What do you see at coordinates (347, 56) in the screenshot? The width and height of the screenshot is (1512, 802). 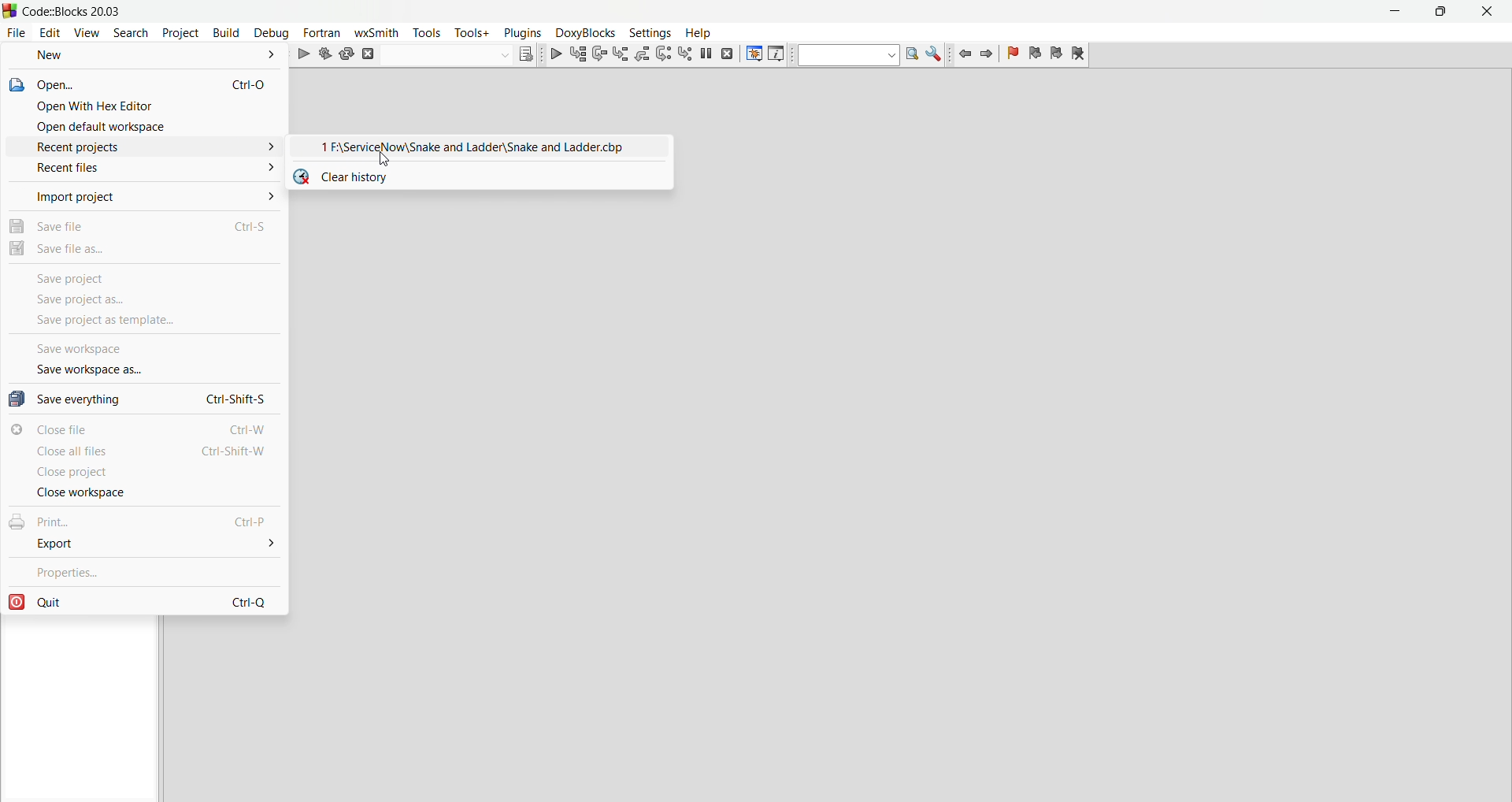 I see `rebuild` at bounding box center [347, 56].